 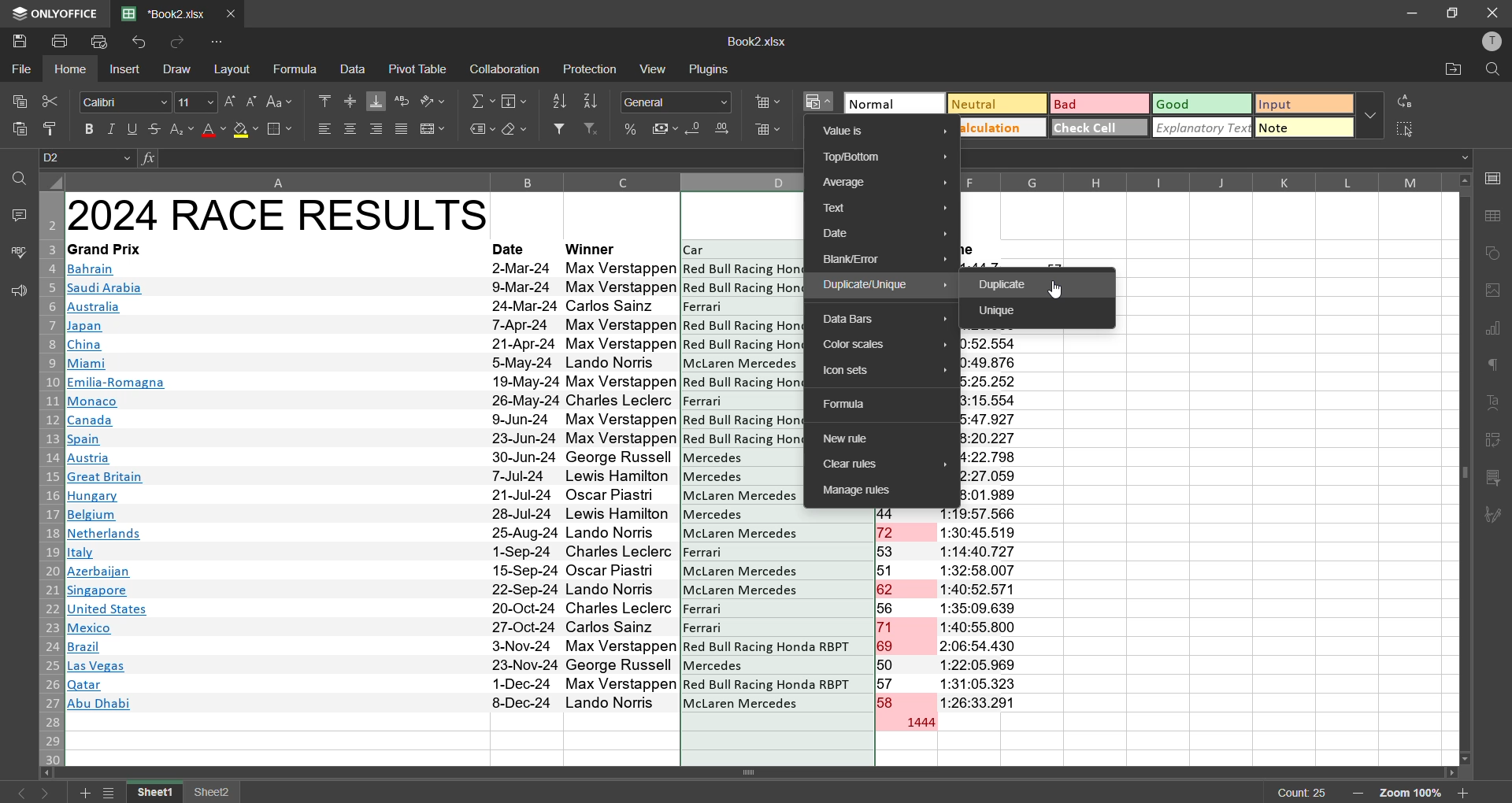 What do you see at coordinates (1464, 469) in the screenshot?
I see `scrollbar` at bounding box center [1464, 469].